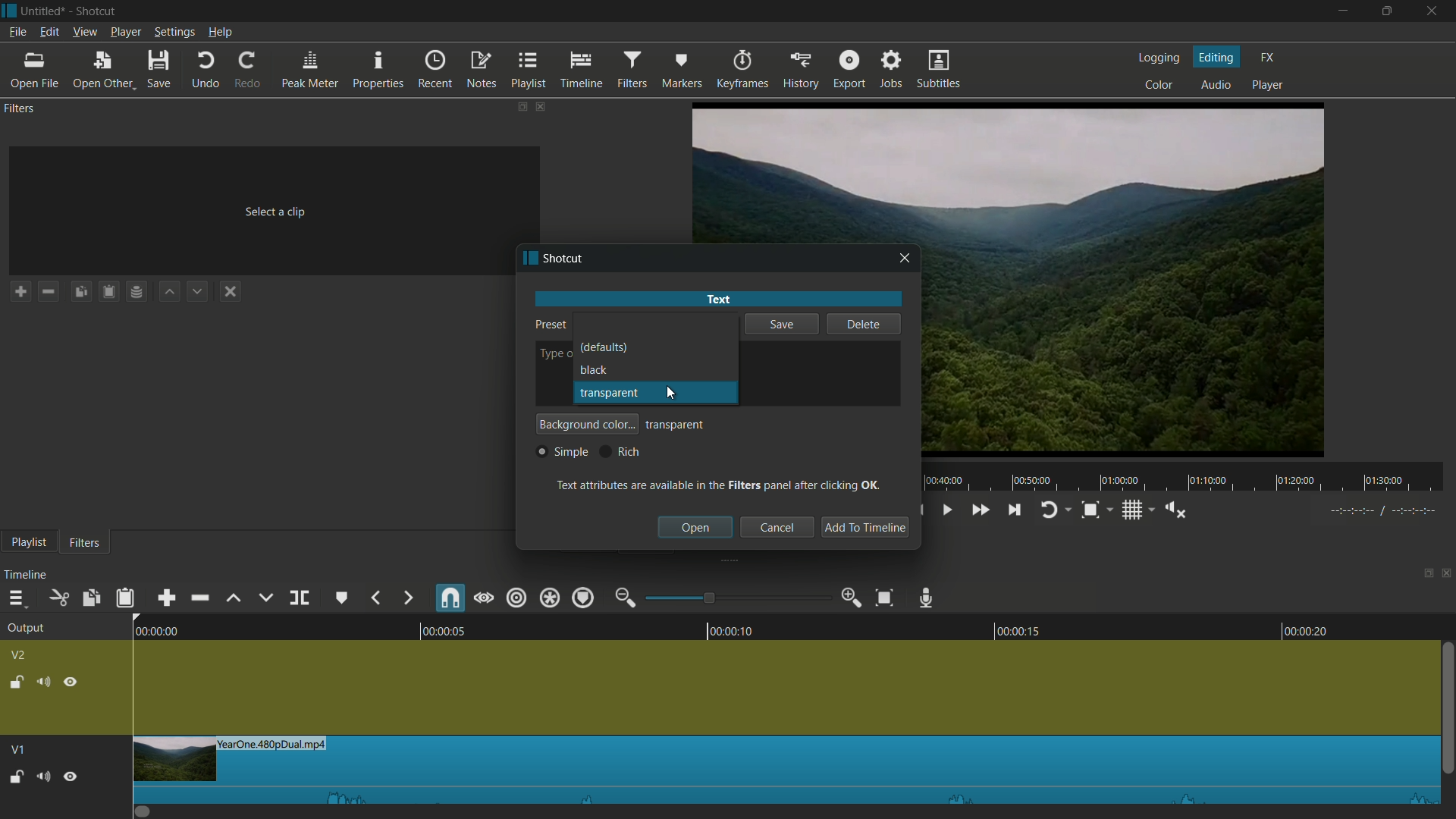 This screenshot has height=819, width=1456. What do you see at coordinates (197, 598) in the screenshot?
I see `ripple delete` at bounding box center [197, 598].